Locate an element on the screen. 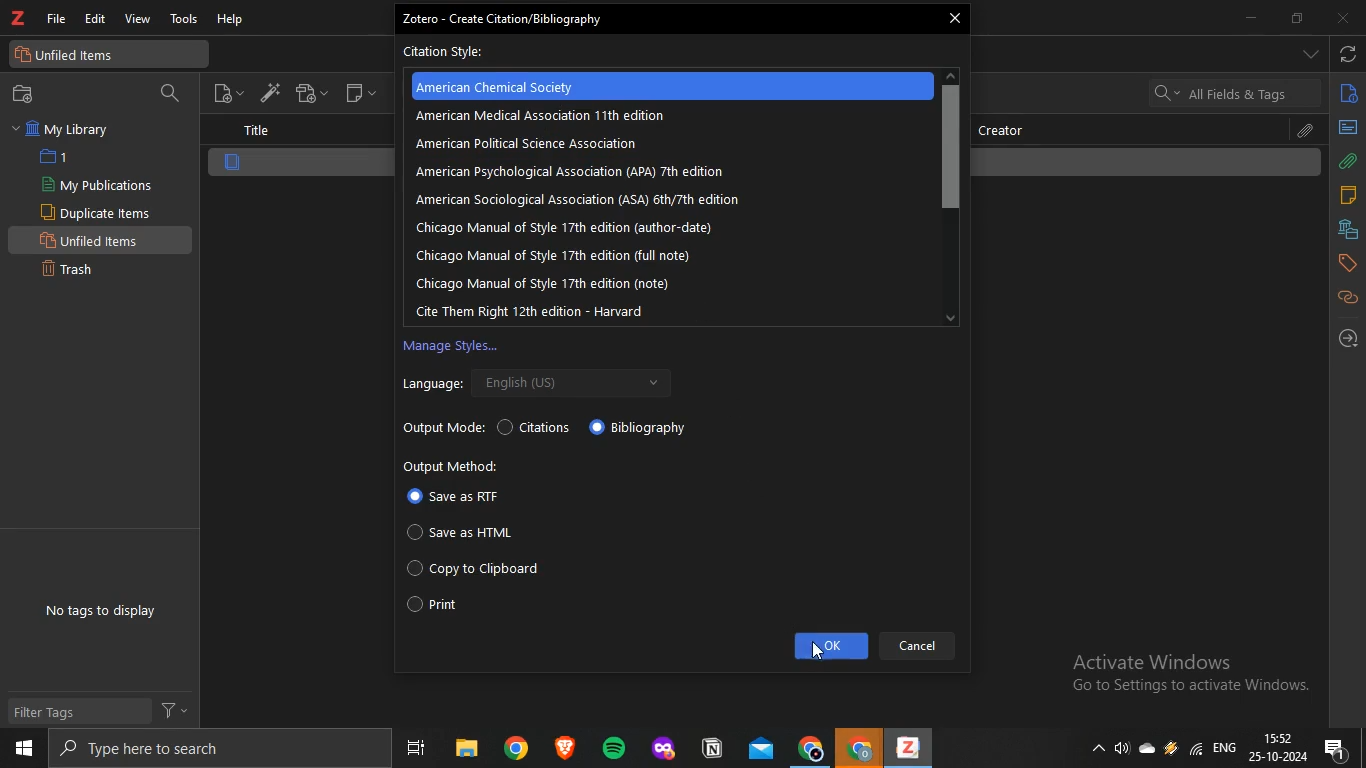 The height and width of the screenshot is (768, 1366). No tags to display is located at coordinates (102, 612).